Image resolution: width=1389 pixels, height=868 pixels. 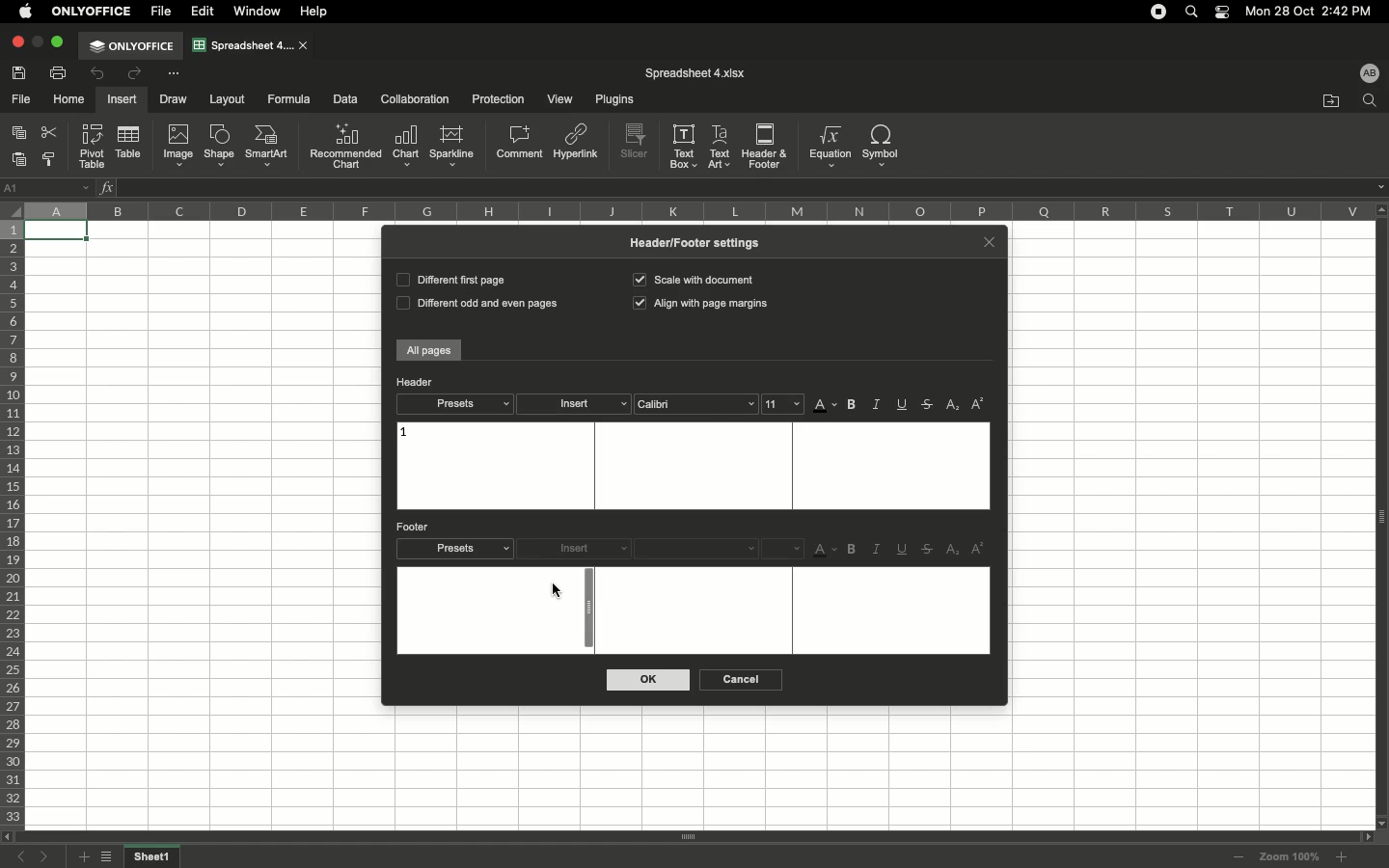 I want to click on Column, so click(x=694, y=210).